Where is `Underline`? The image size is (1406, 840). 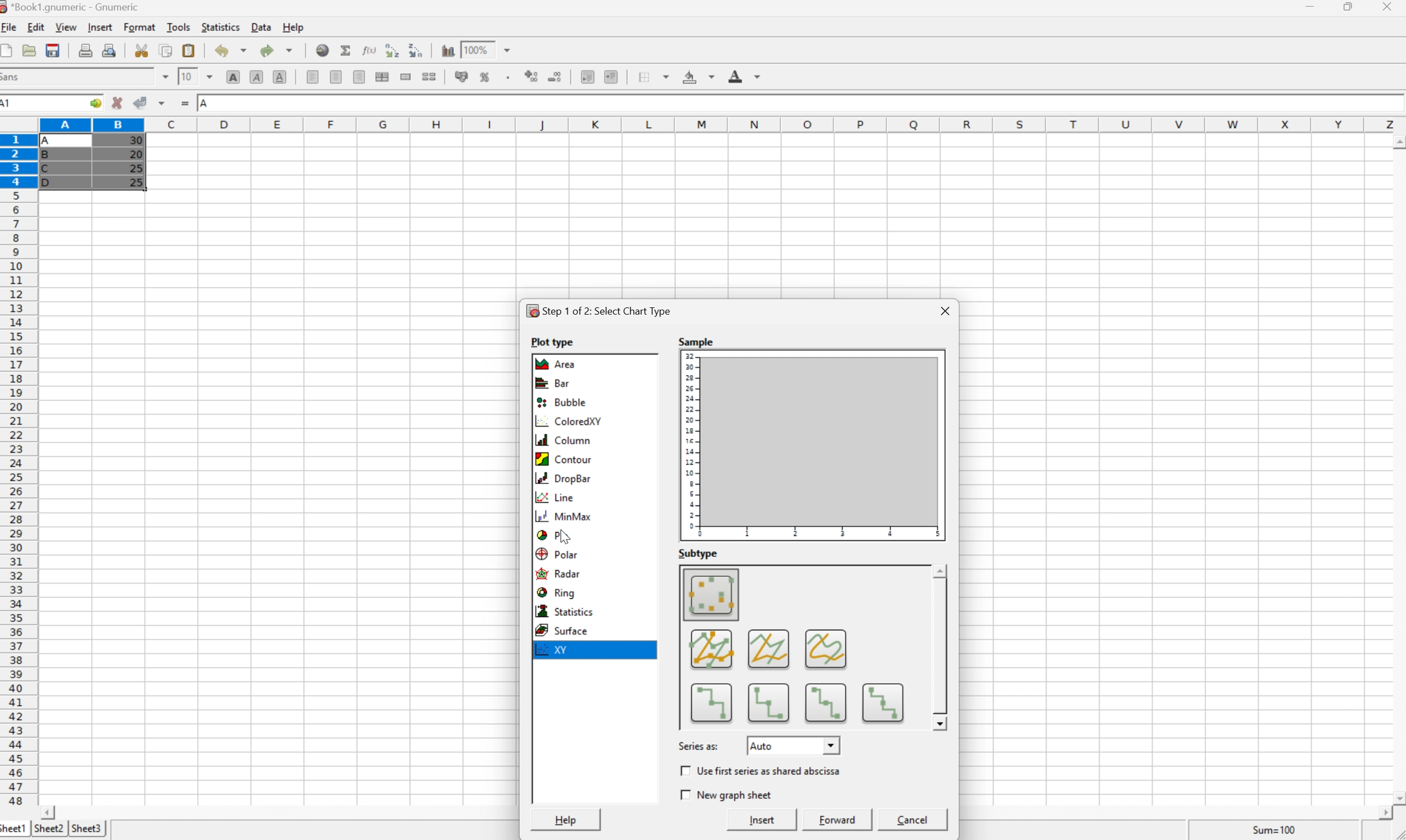 Underline is located at coordinates (279, 78).